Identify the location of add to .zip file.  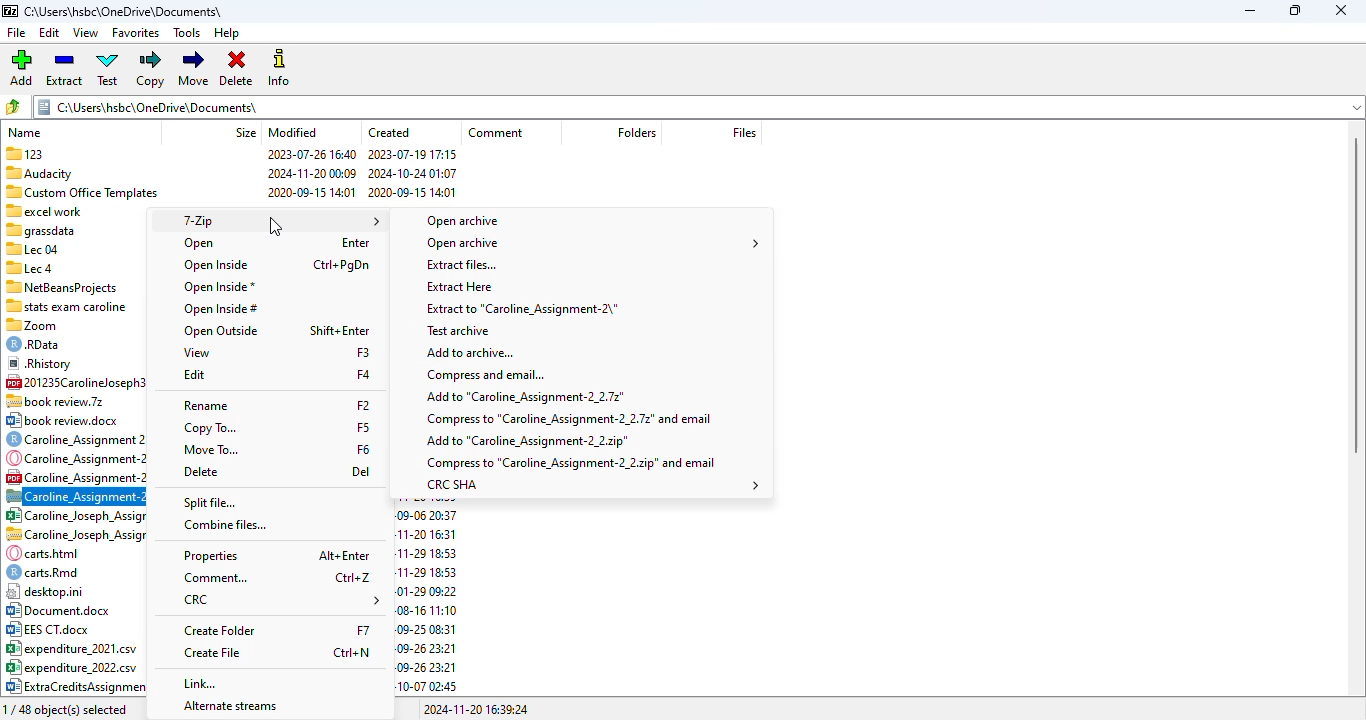
(526, 440).